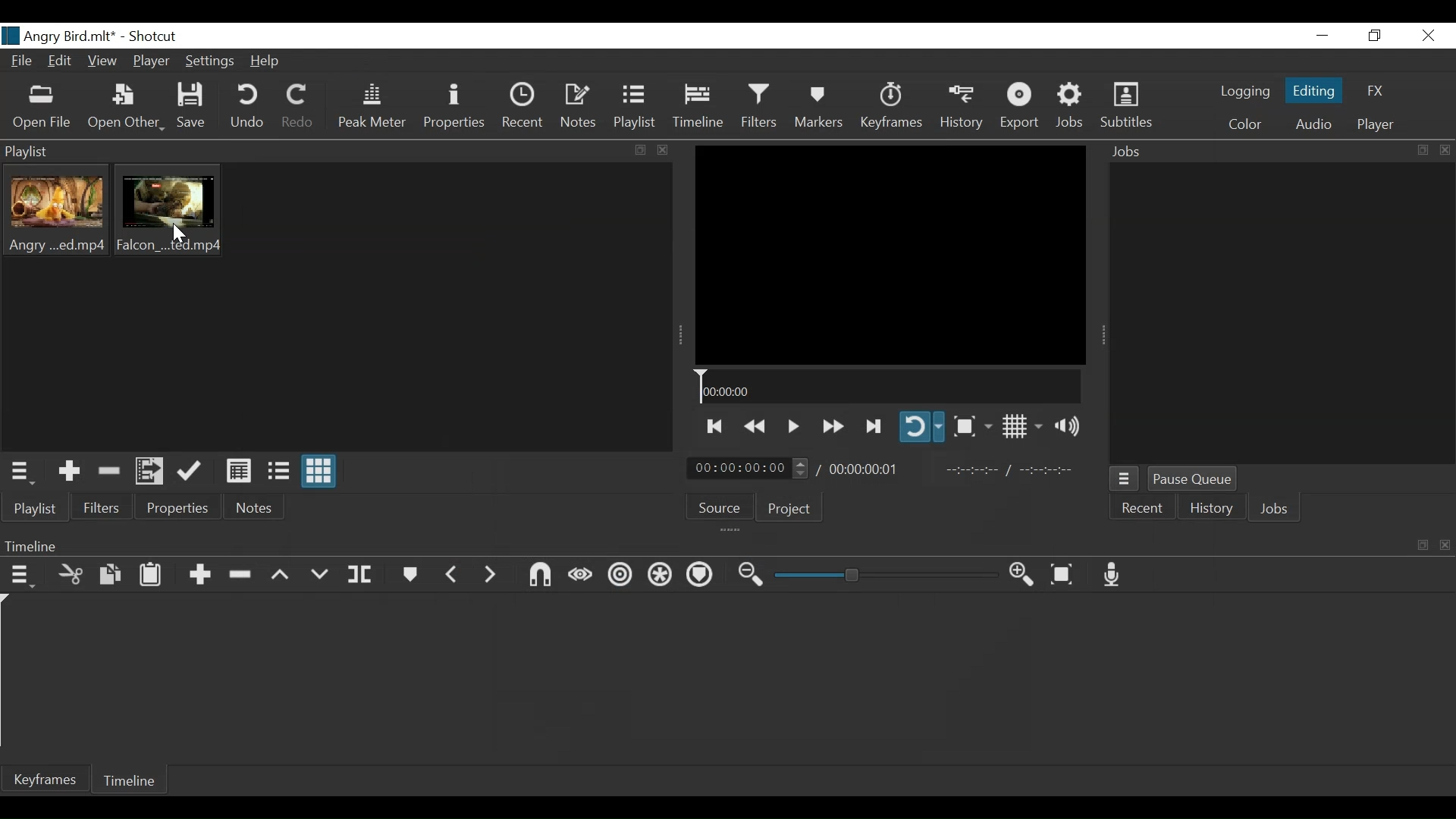 The width and height of the screenshot is (1456, 819). What do you see at coordinates (1126, 105) in the screenshot?
I see `Subtitles` at bounding box center [1126, 105].